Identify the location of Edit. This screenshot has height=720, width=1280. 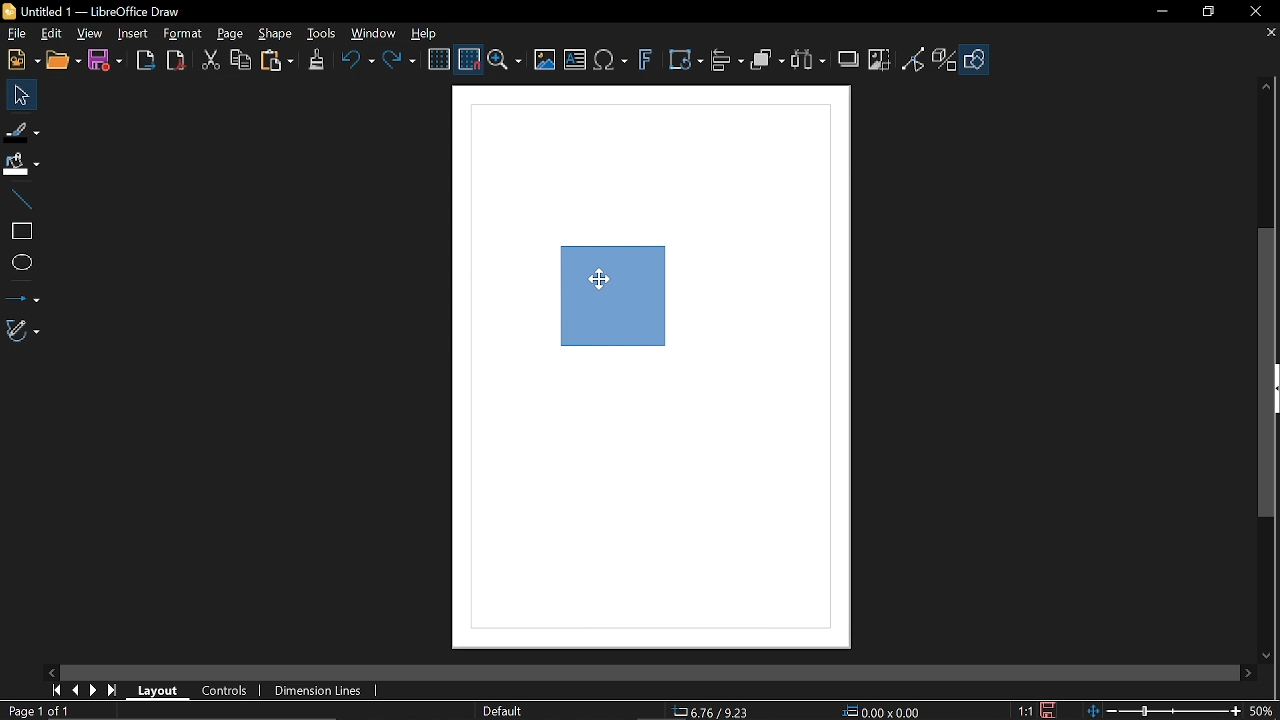
(50, 35).